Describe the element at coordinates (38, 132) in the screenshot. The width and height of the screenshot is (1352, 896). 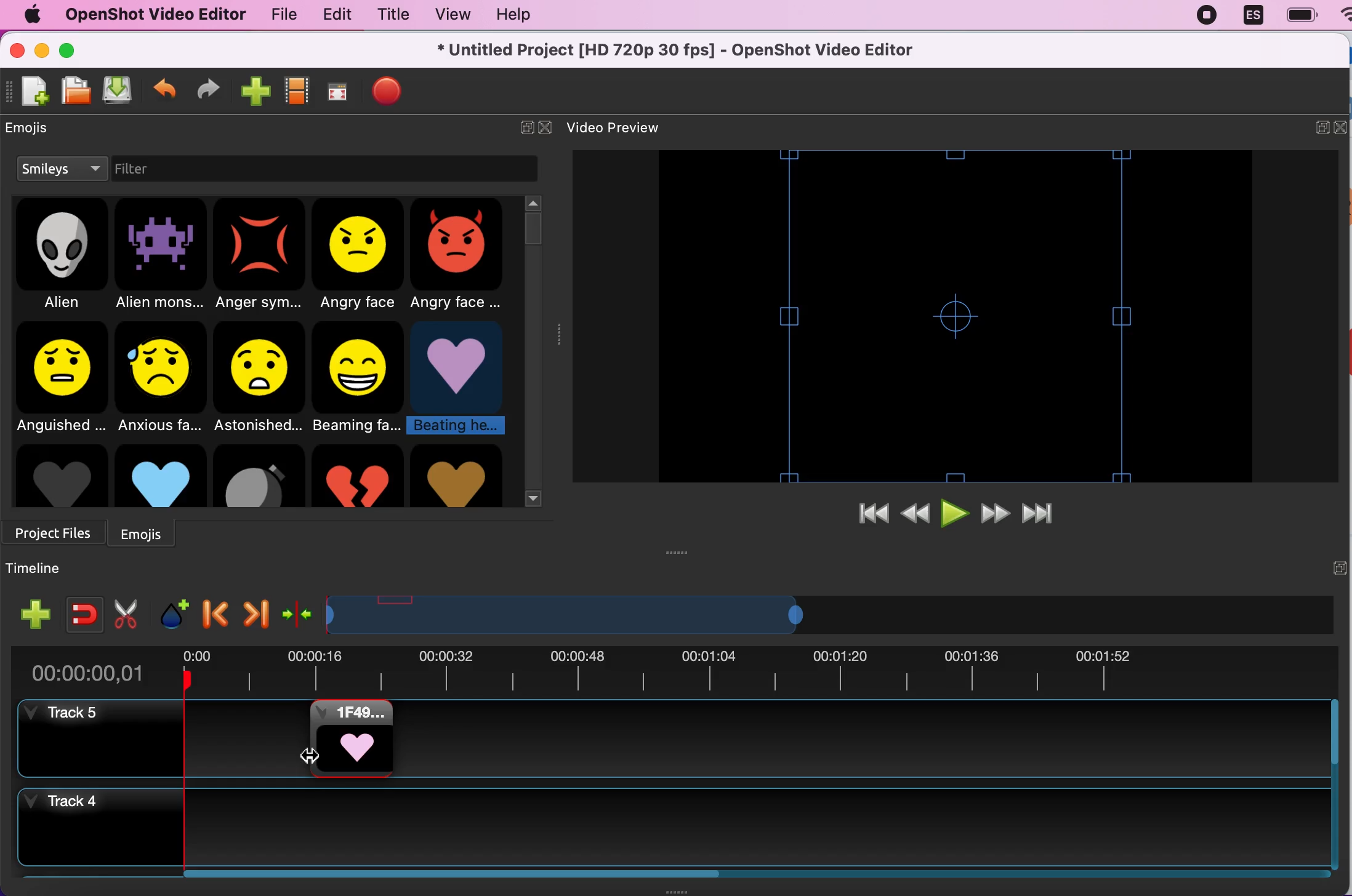
I see `emojis` at that location.